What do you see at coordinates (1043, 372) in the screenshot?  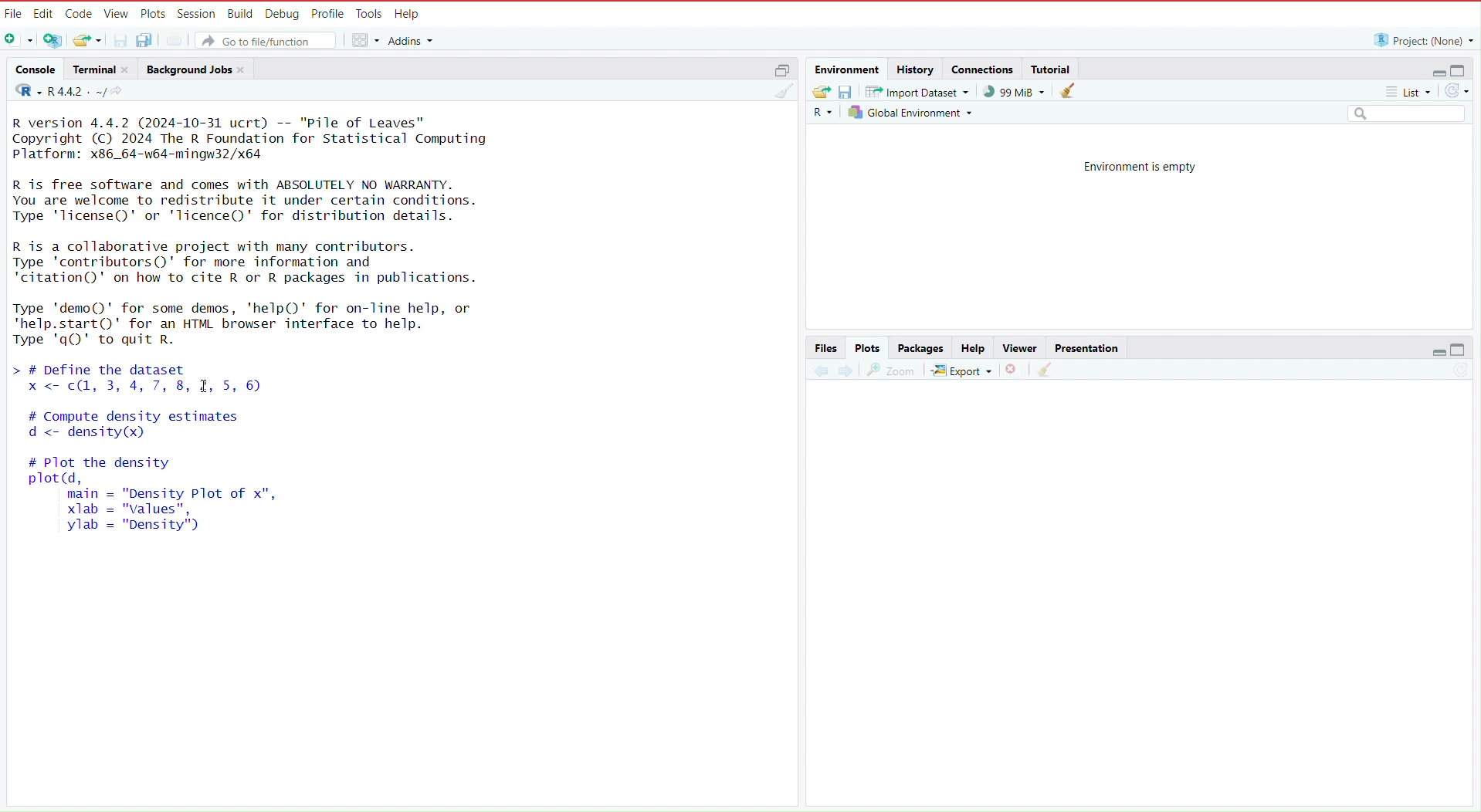 I see `clear all plots` at bounding box center [1043, 372].